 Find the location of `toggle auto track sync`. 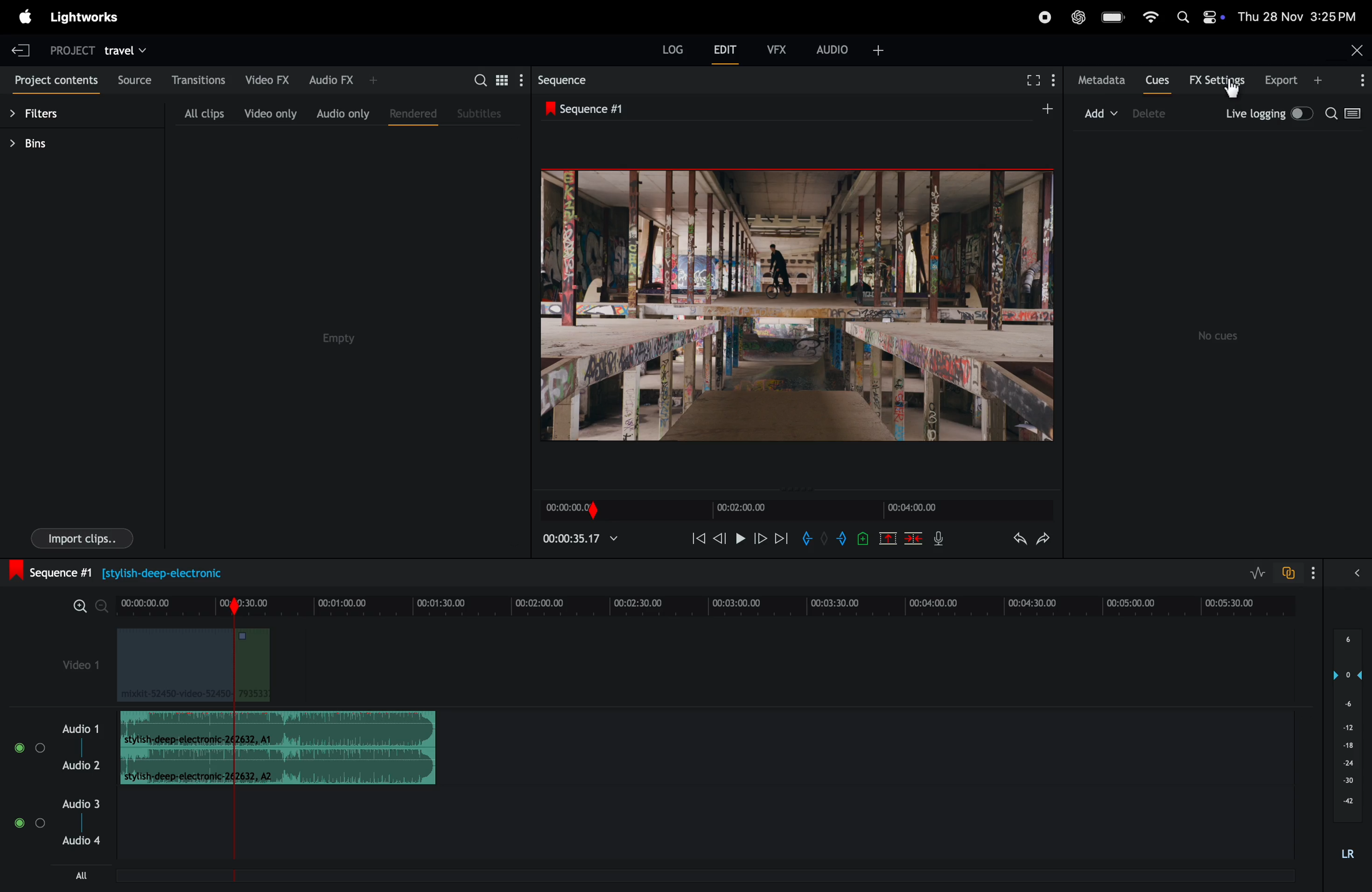

toggle auto track sync is located at coordinates (1289, 572).